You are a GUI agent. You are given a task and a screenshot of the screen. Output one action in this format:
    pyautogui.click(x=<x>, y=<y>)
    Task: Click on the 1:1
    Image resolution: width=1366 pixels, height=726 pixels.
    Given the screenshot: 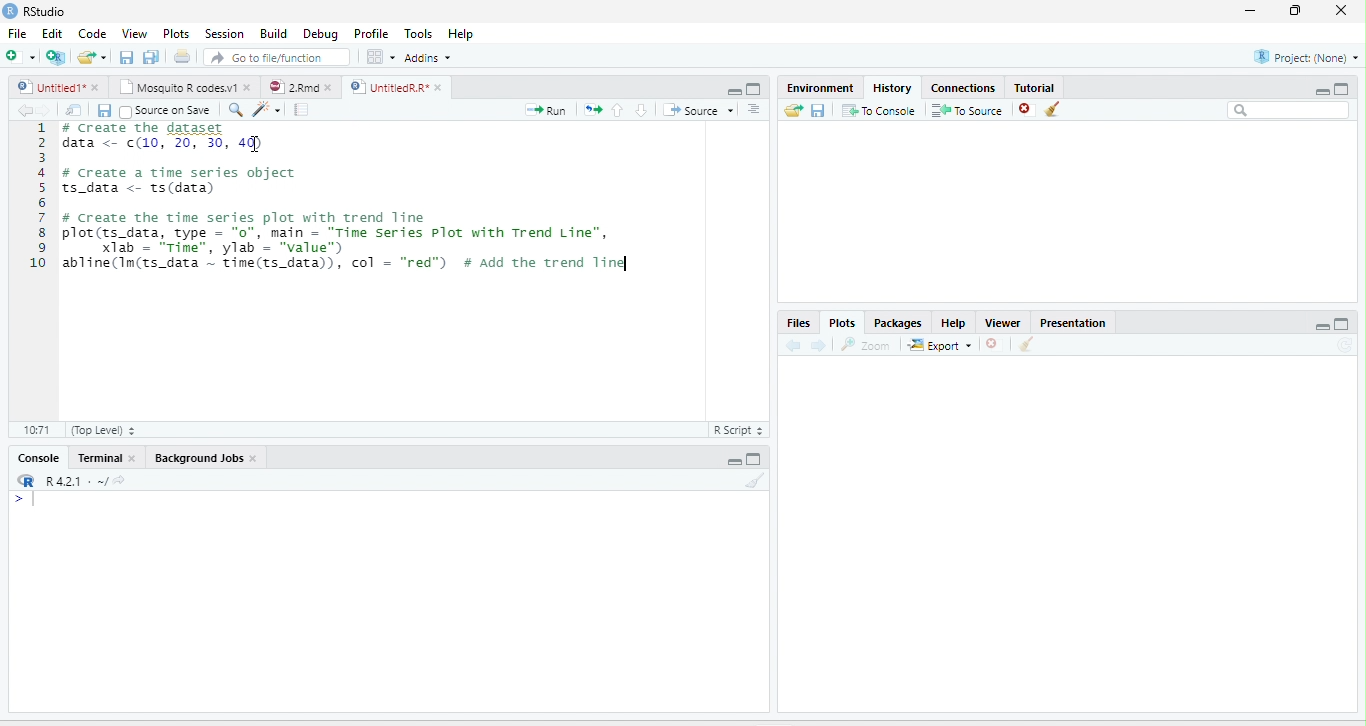 What is the action you would take?
    pyautogui.click(x=35, y=430)
    